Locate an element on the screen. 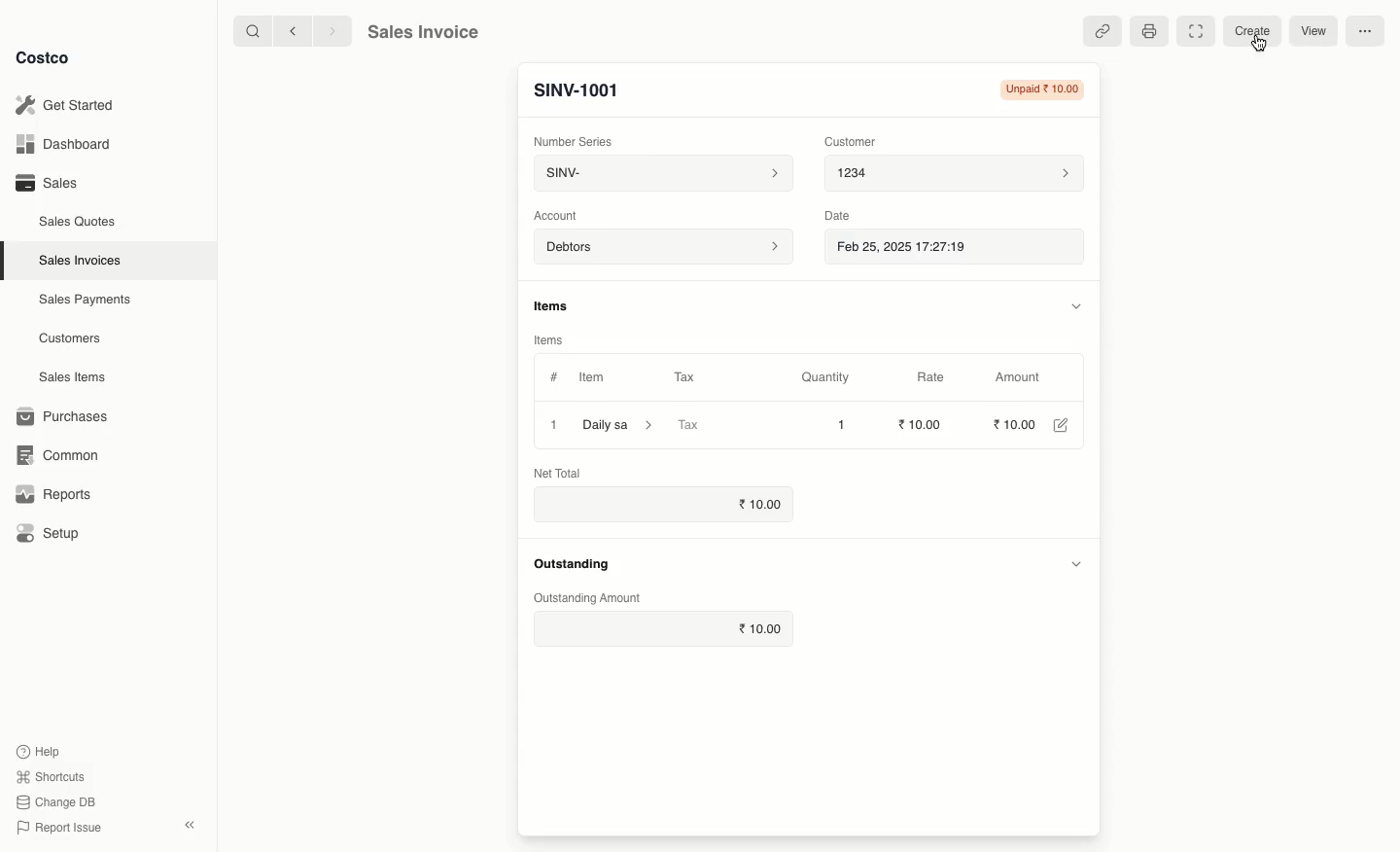  More options is located at coordinates (1367, 29).